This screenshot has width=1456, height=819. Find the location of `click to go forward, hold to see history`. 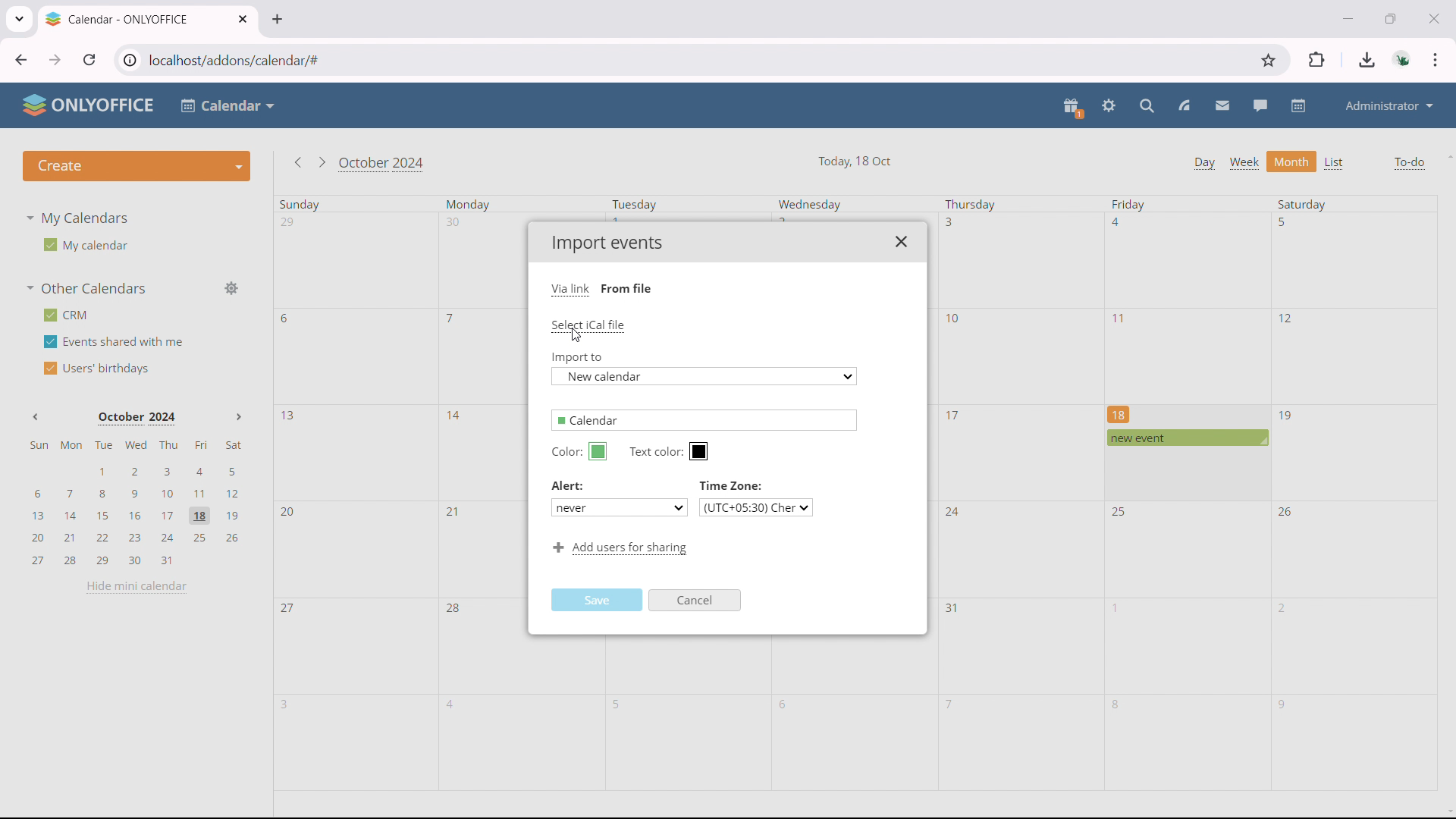

click to go forward, hold to see history is located at coordinates (55, 60).